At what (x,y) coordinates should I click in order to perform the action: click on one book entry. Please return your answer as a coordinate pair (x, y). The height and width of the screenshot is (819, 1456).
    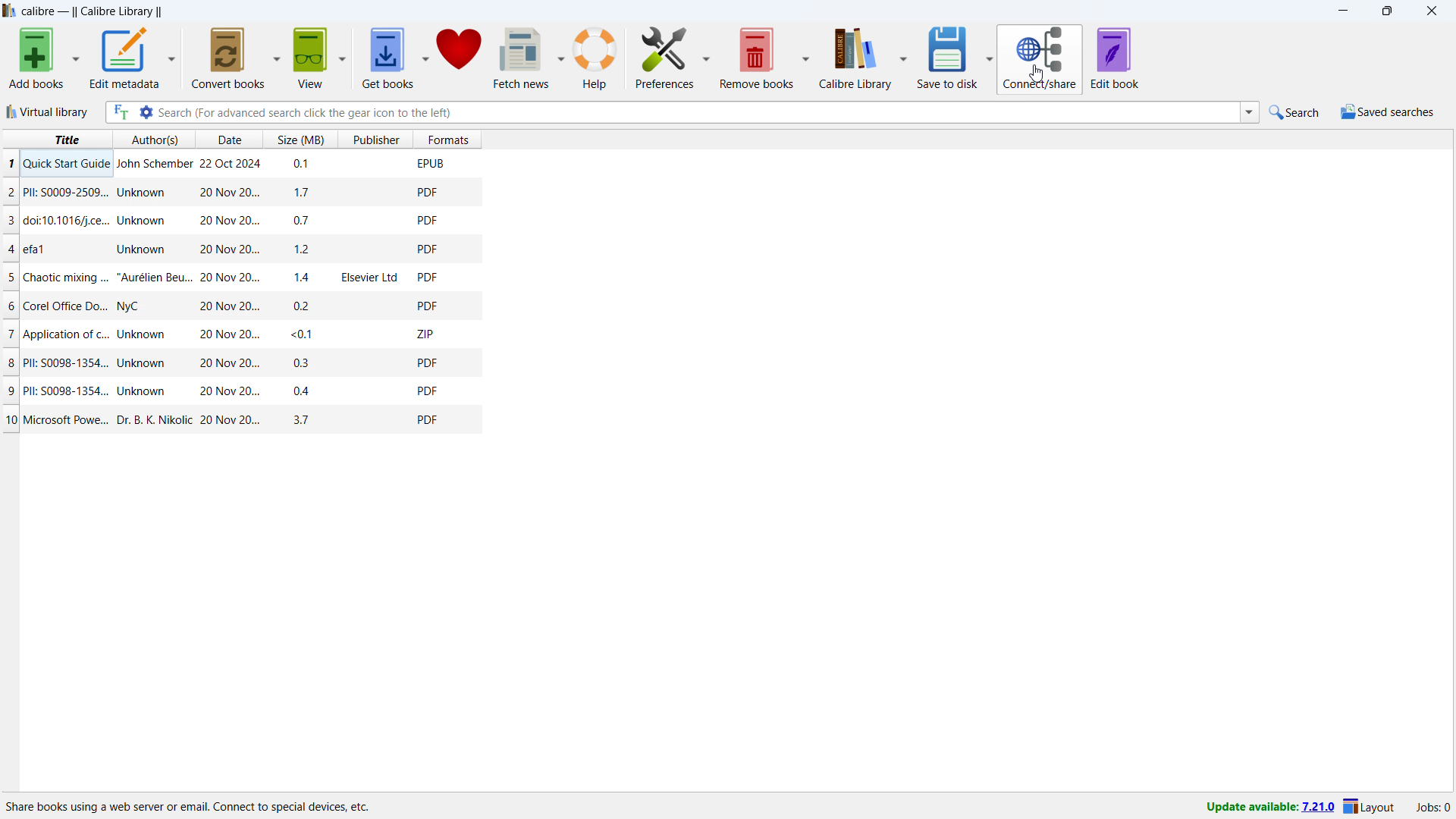
    Looking at the image, I should click on (239, 392).